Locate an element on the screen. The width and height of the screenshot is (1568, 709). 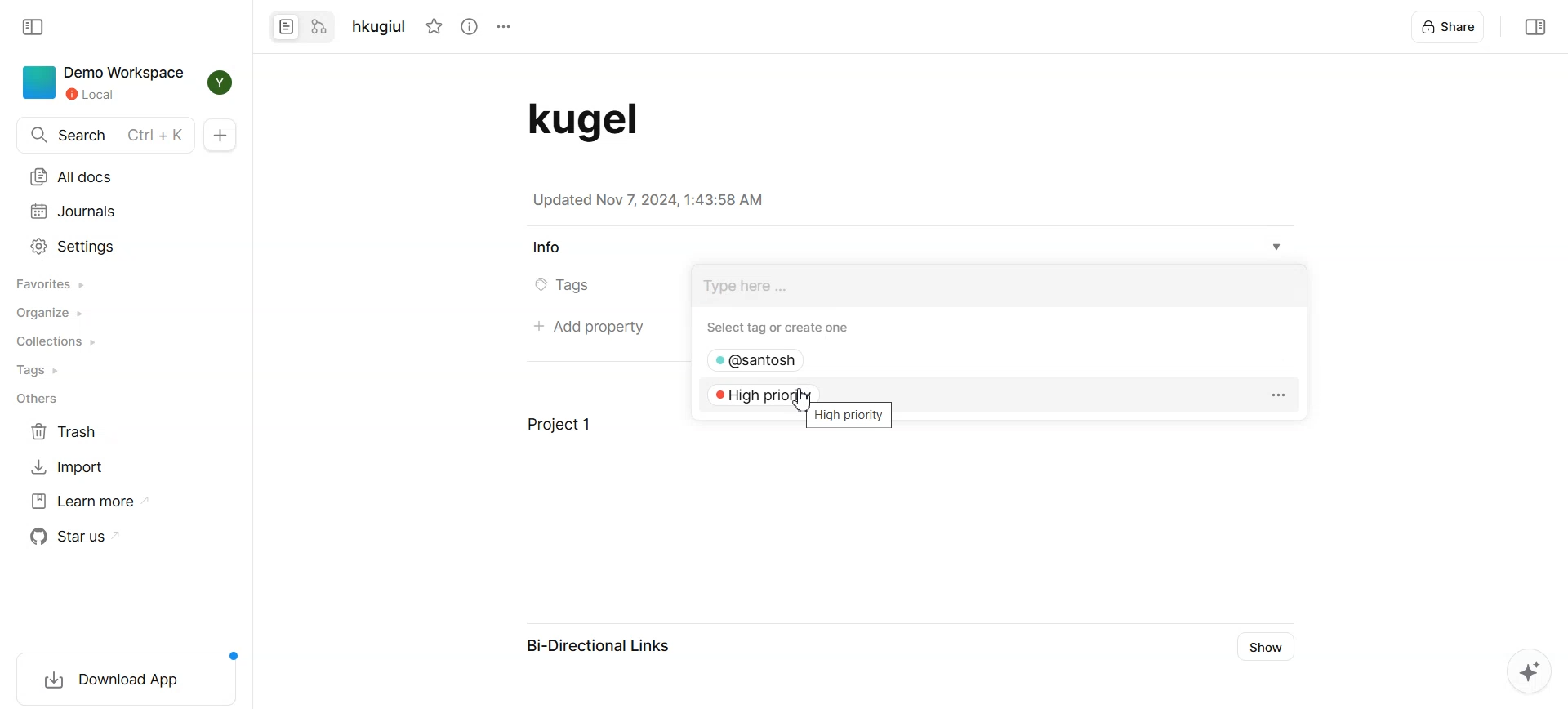
Convert to page is located at coordinates (287, 28).